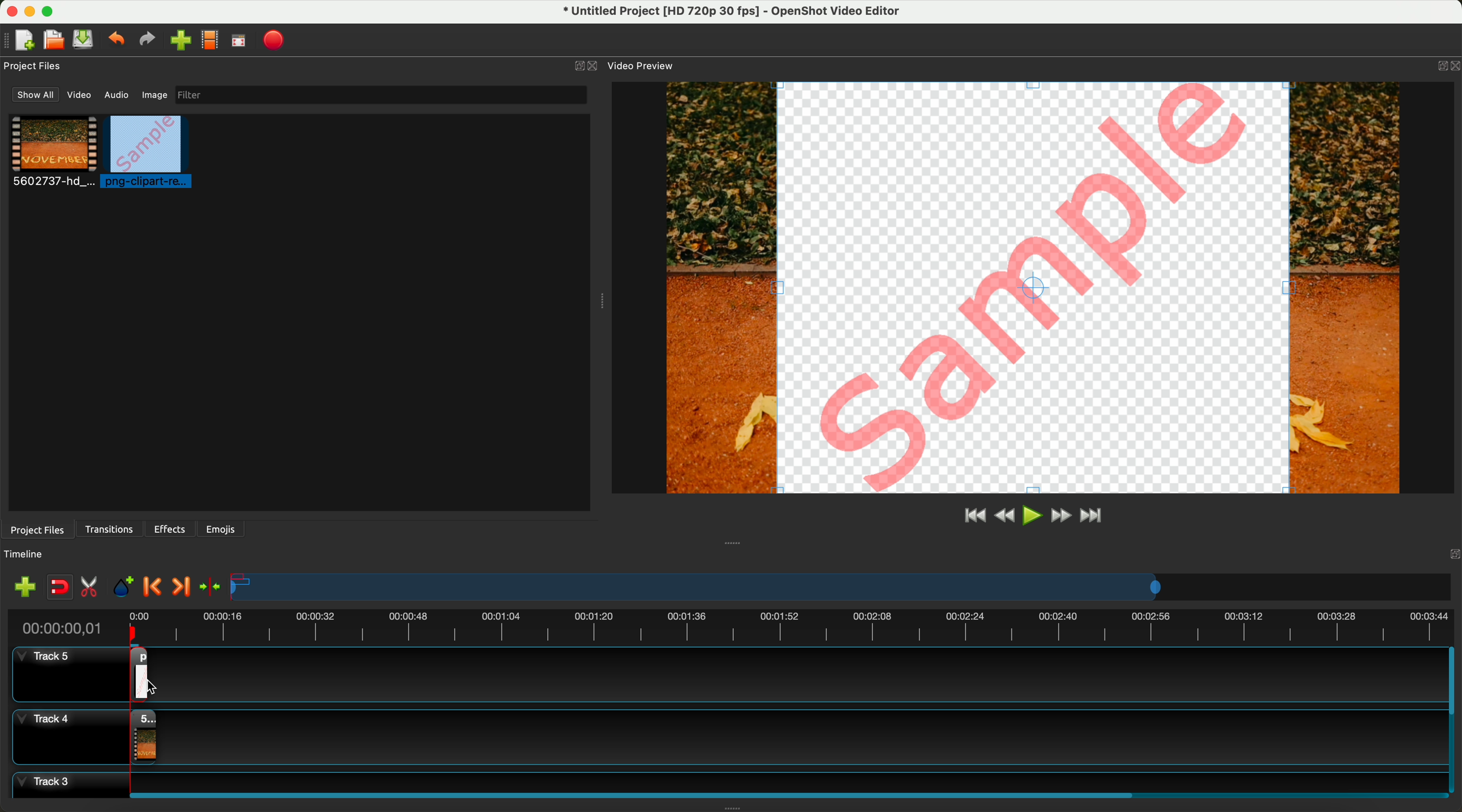  What do you see at coordinates (117, 94) in the screenshot?
I see `audio` at bounding box center [117, 94].